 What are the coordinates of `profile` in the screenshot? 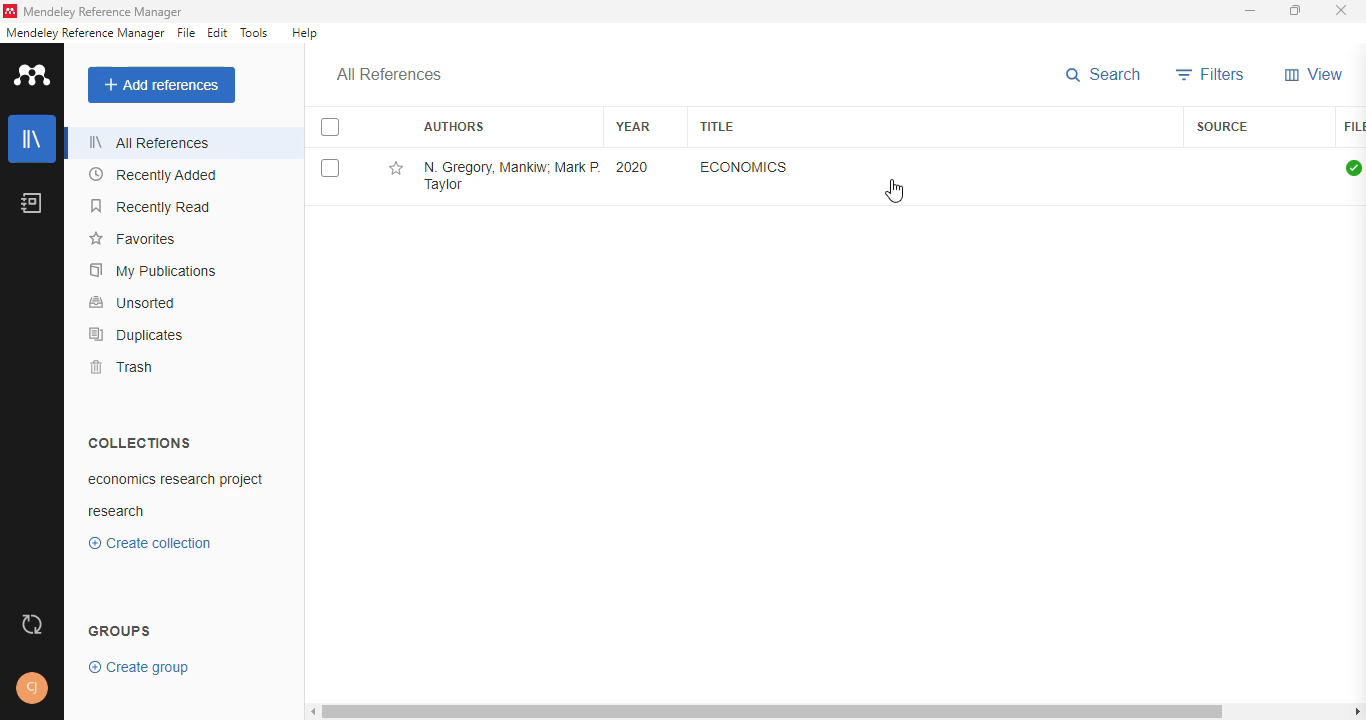 It's located at (32, 690).